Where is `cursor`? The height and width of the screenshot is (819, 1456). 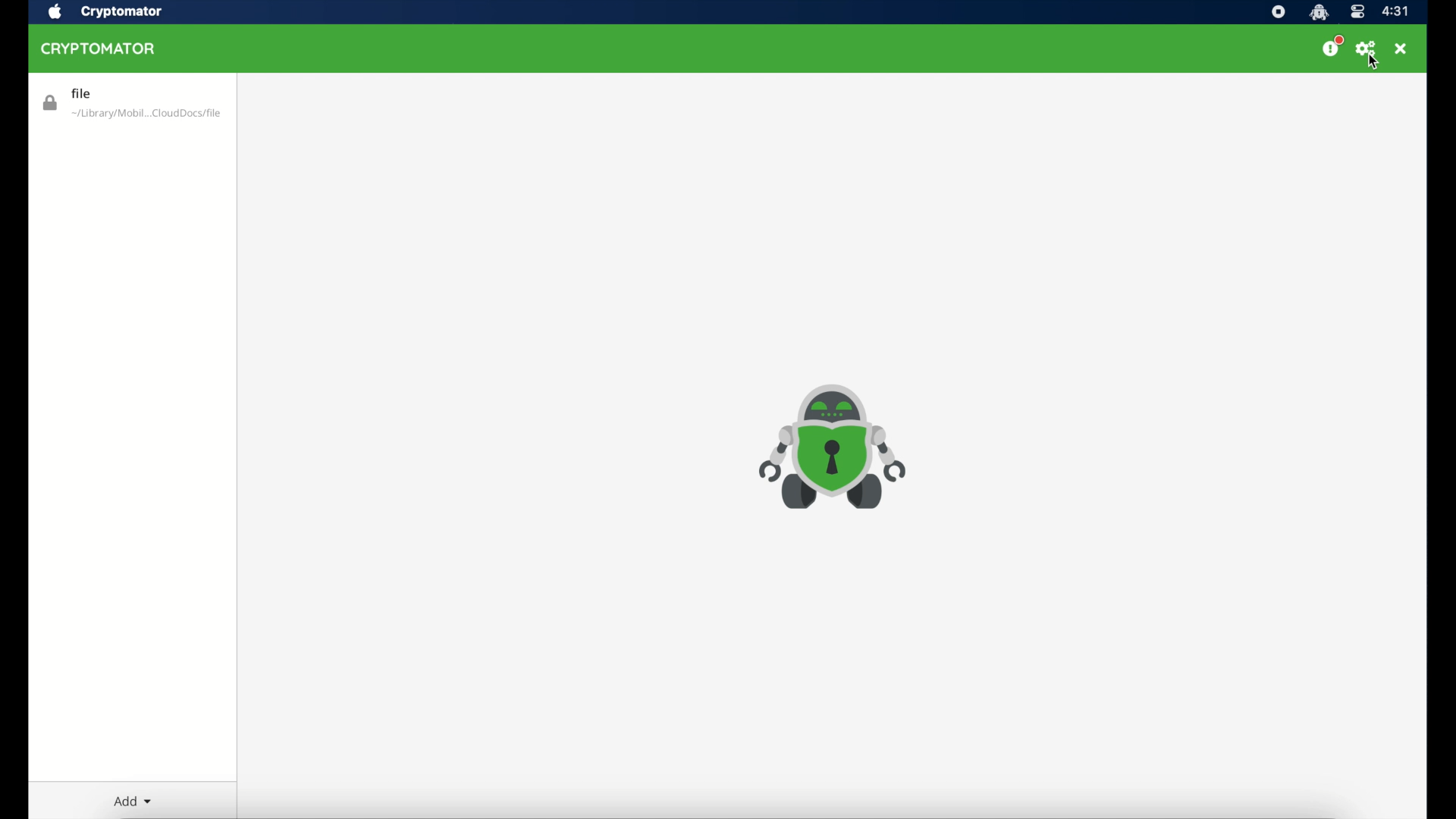
cursor is located at coordinates (1377, 65).